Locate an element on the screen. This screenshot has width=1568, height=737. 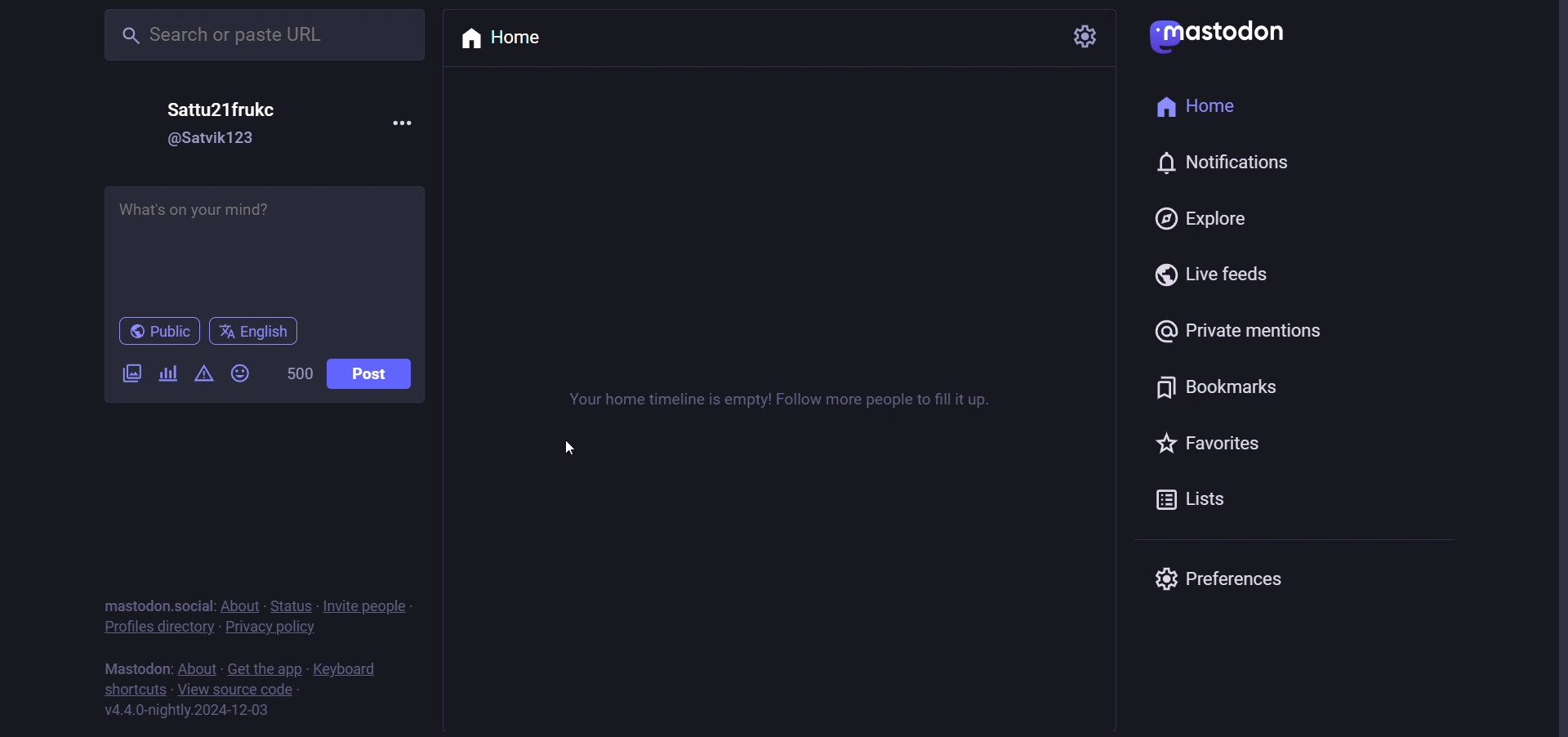
content warning is located at coordinates (202, 375).